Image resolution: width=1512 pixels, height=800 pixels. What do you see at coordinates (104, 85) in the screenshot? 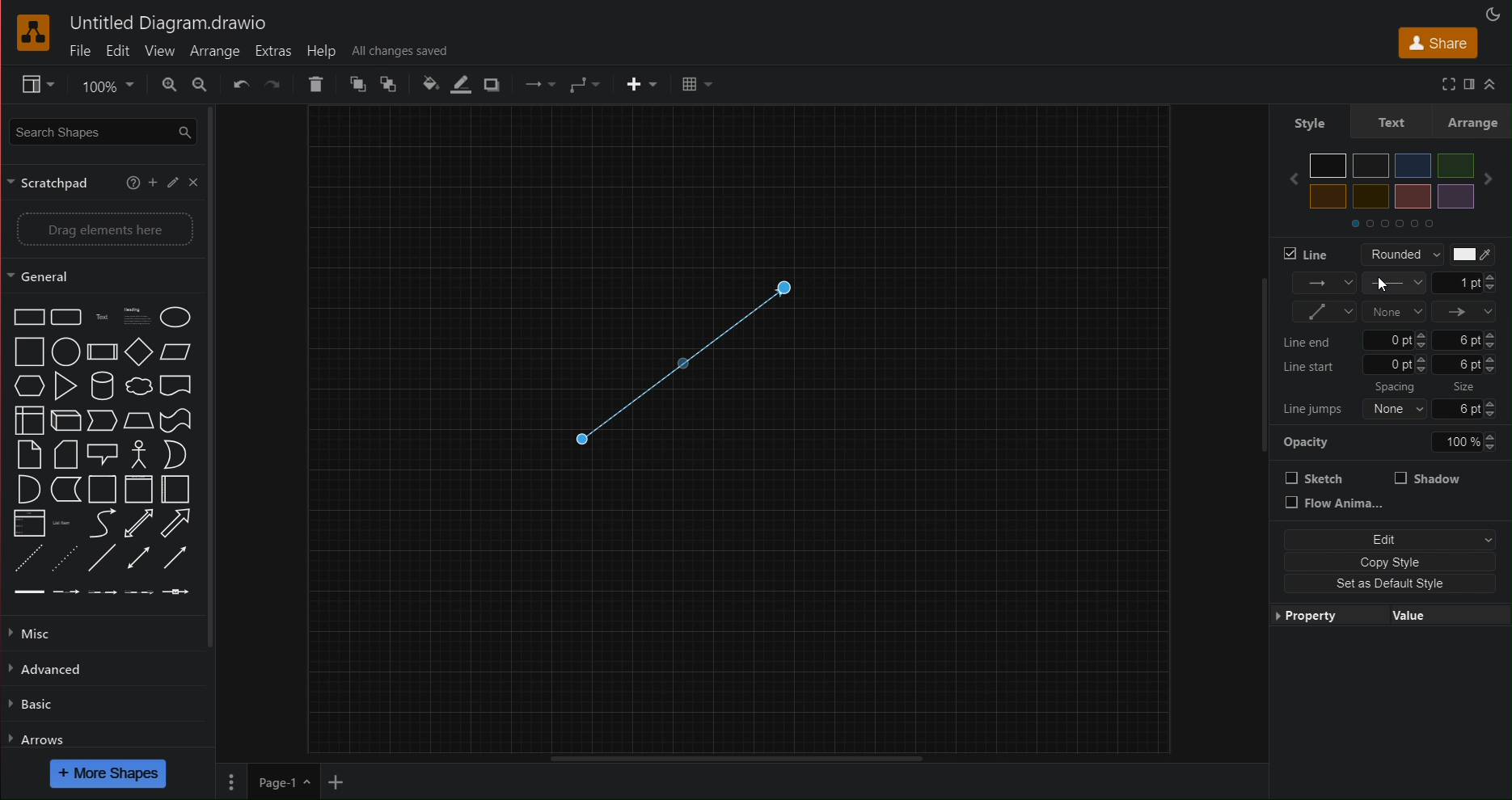
I see `Zoom` at bounding box center [104, 85].